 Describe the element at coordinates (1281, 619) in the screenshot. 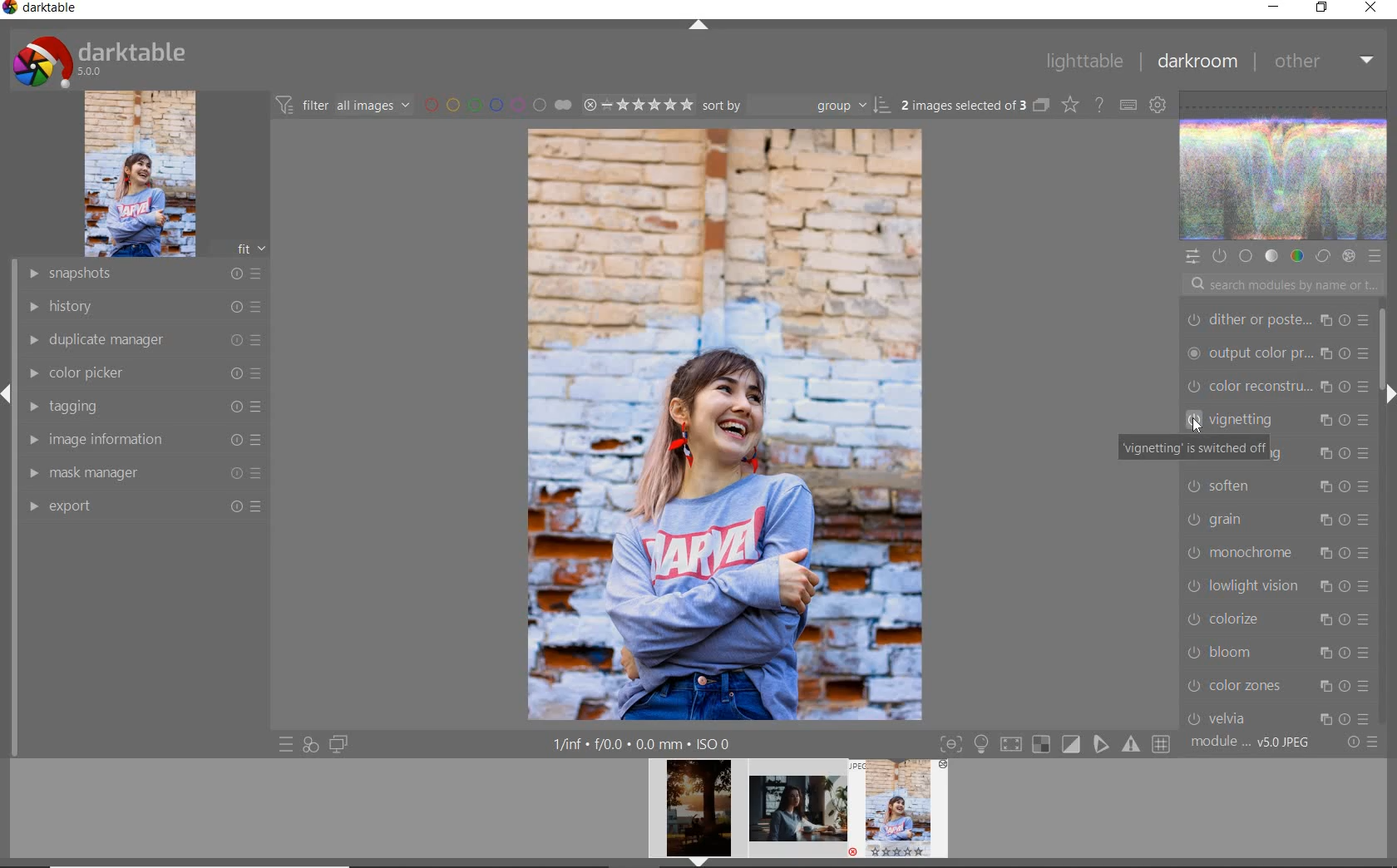

I see `rotate` at that location.